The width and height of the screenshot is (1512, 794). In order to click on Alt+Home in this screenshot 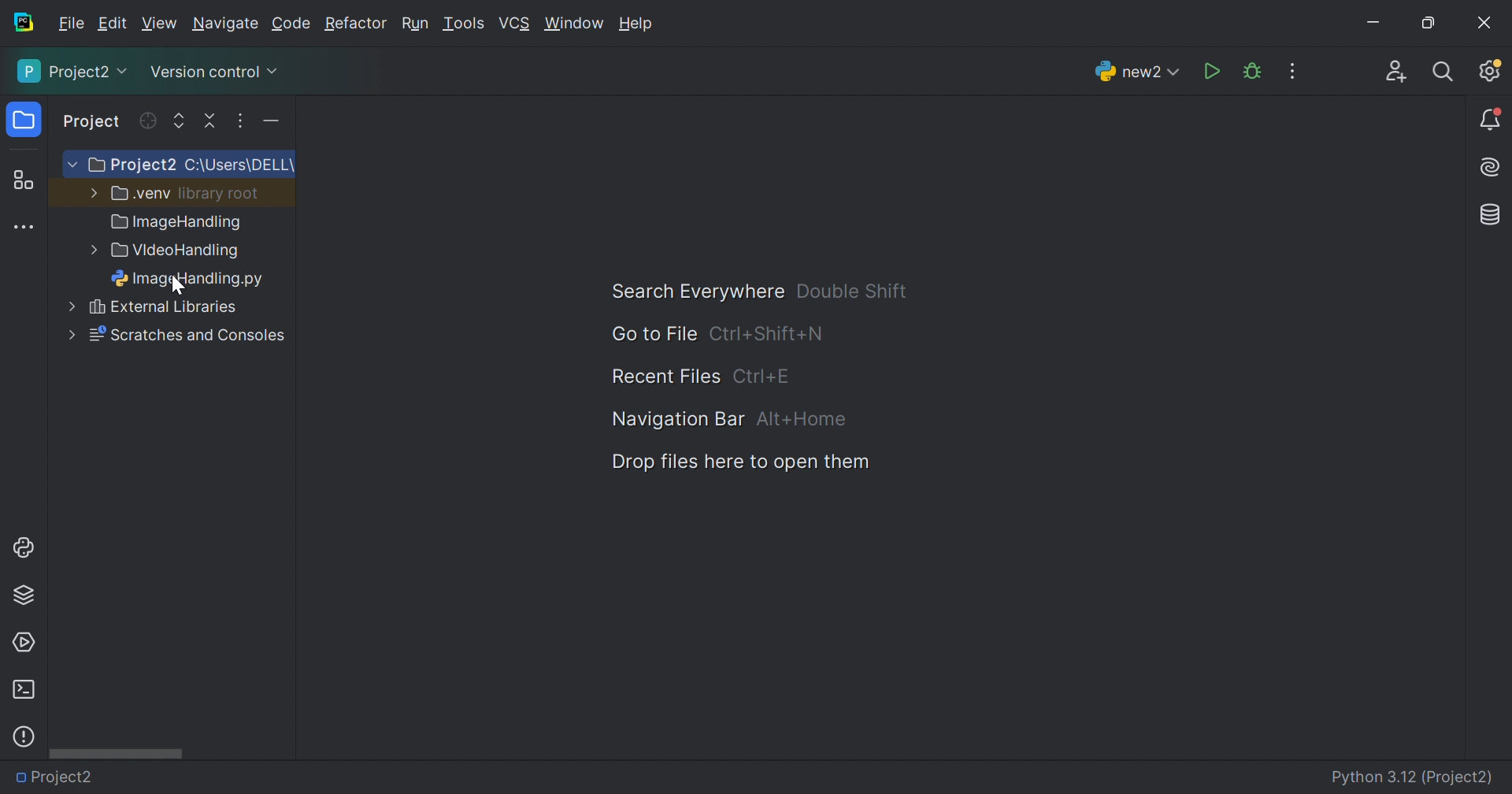, I will do `click(802, 420)`.